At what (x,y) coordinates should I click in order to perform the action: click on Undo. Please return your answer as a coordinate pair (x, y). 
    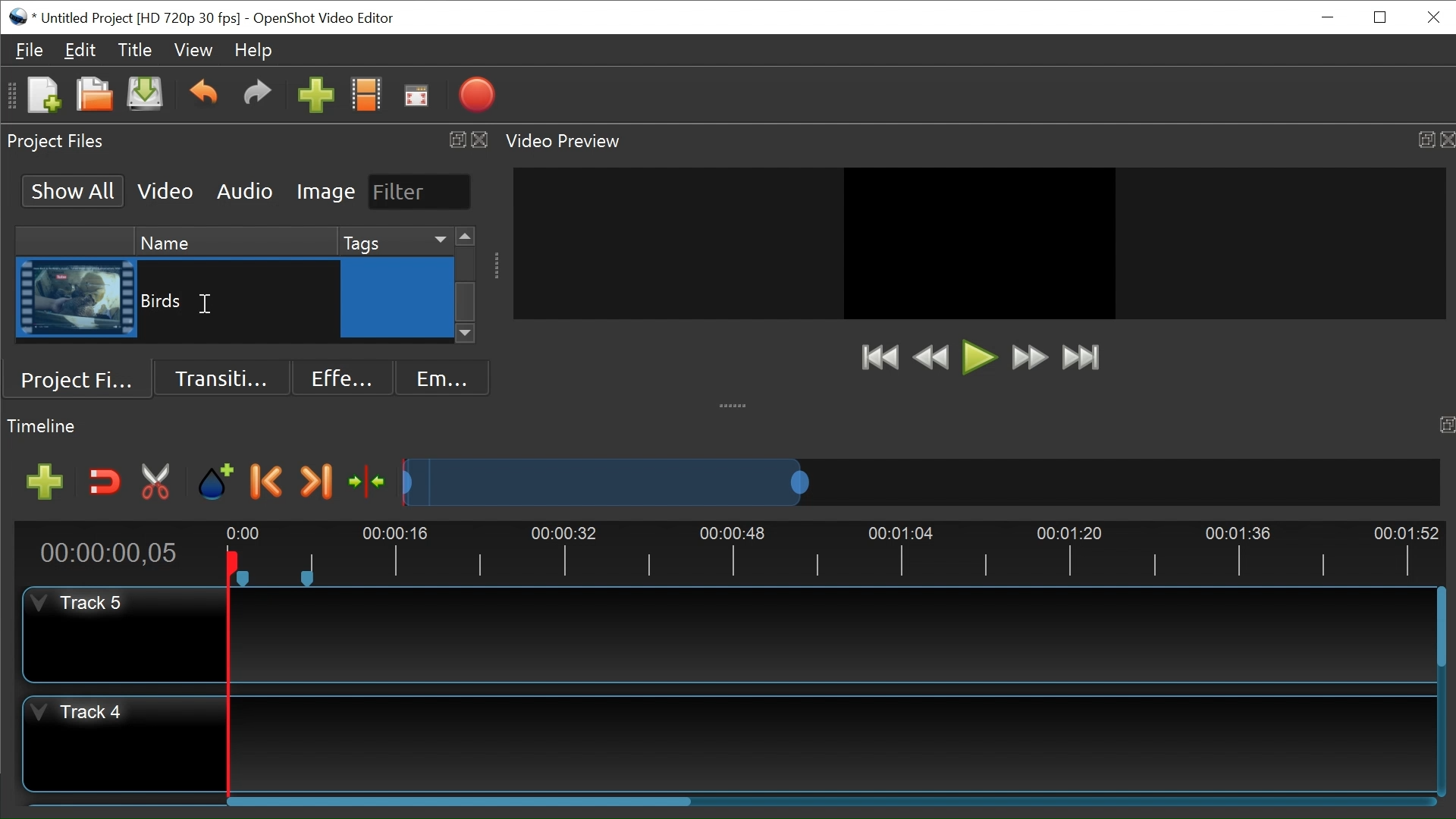
    Looking at the image, I should click on (203, 95).